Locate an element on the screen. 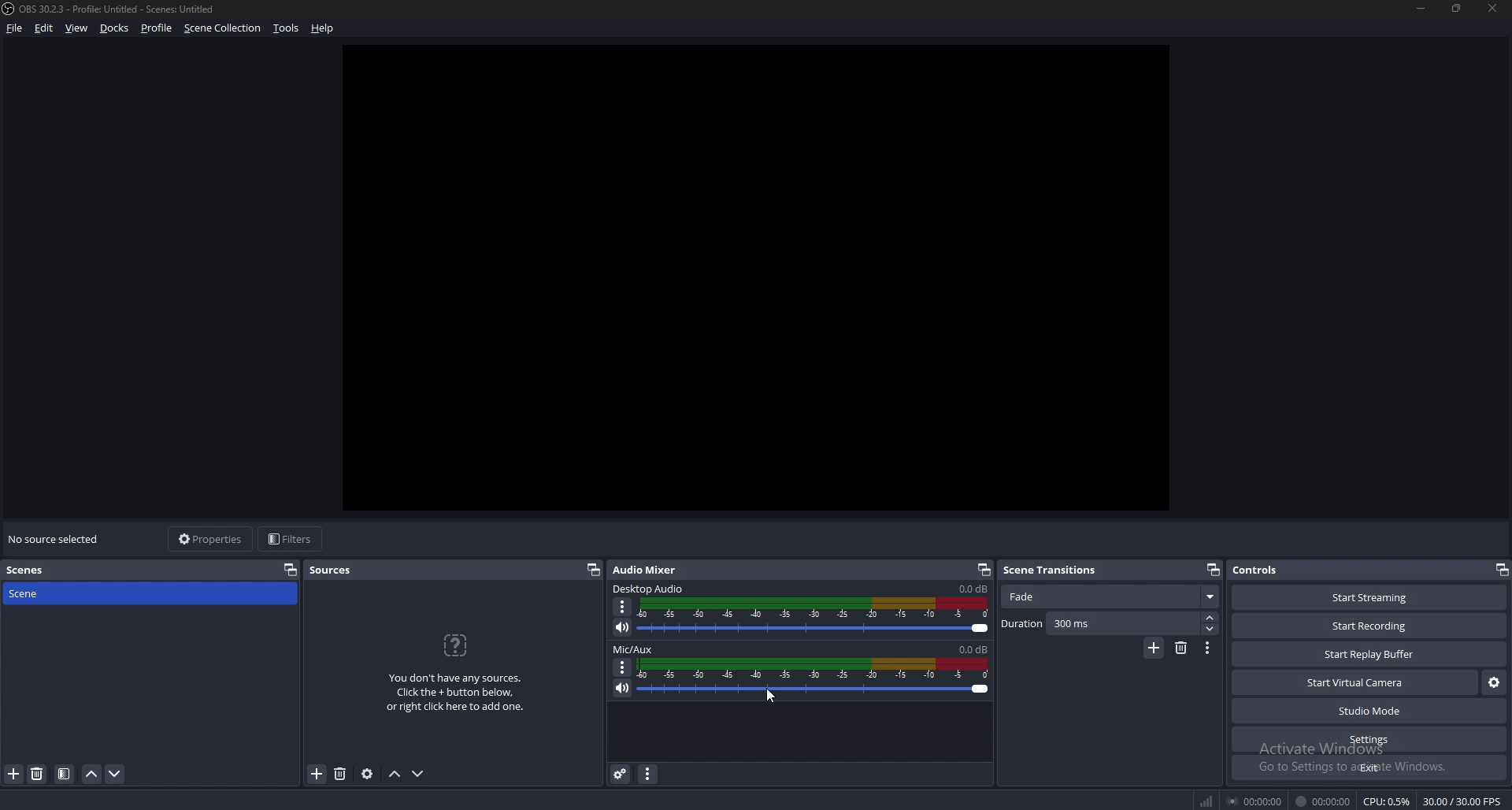  scenes is located at coordinates (32, 570).